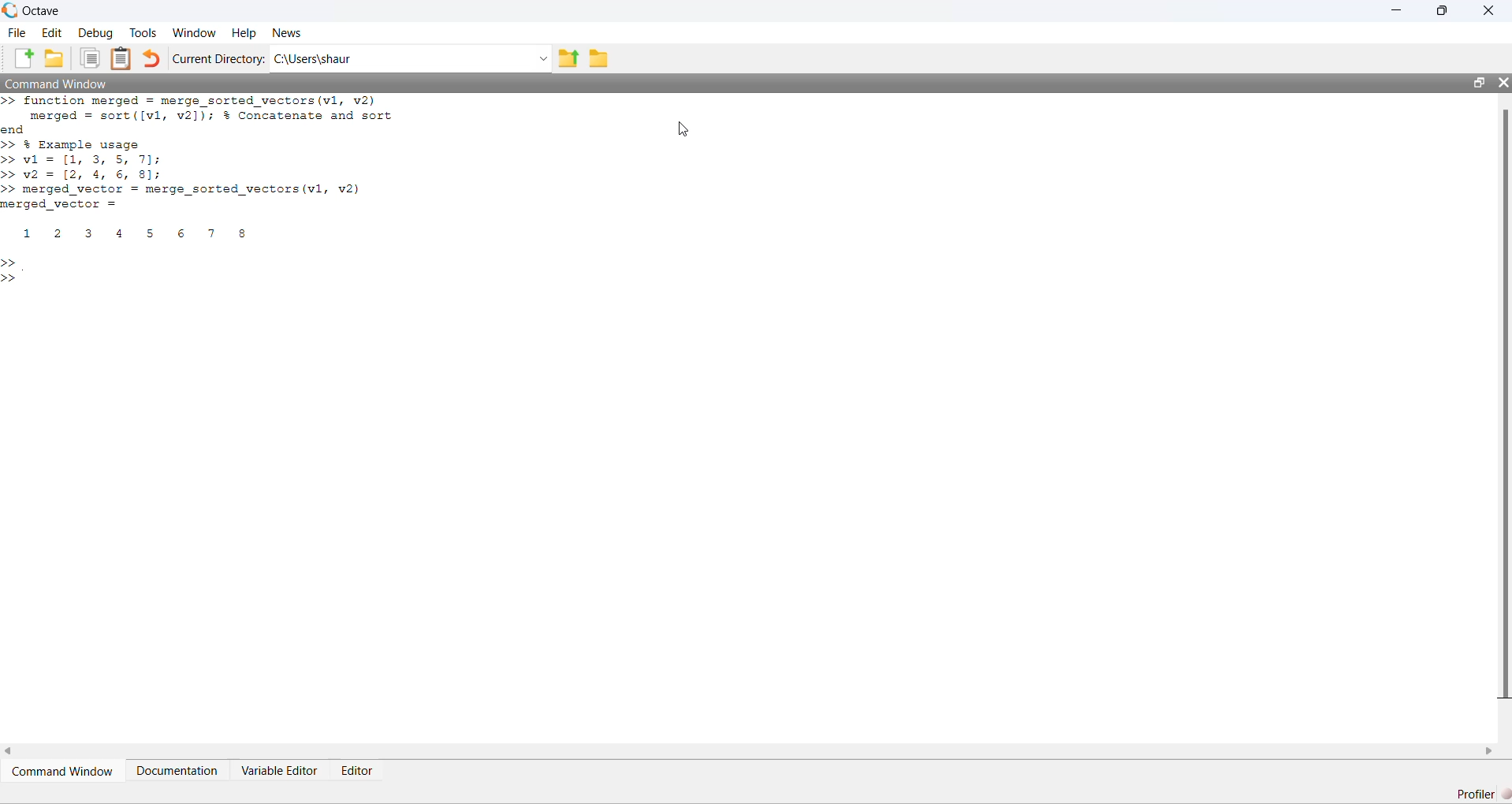  Describe the element at coordinates (52, 33) in the screenshot. I see `Edit` at that location.